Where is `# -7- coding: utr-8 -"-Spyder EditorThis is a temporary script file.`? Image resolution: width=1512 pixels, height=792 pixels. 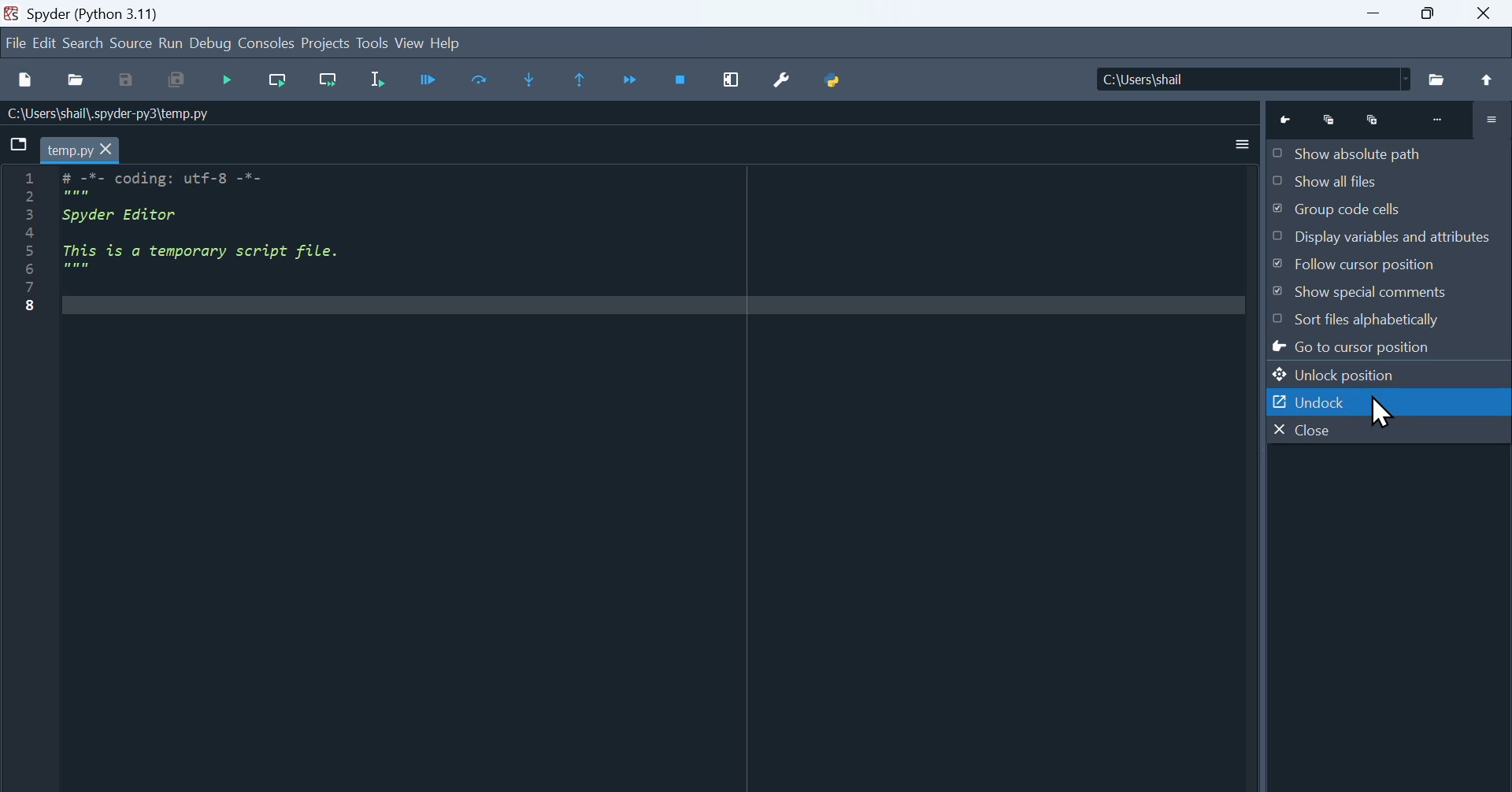 # -7- coding: utr-8 -"-Spyder EditorThis is a temporary script file. is located at coordinates (227, 230).